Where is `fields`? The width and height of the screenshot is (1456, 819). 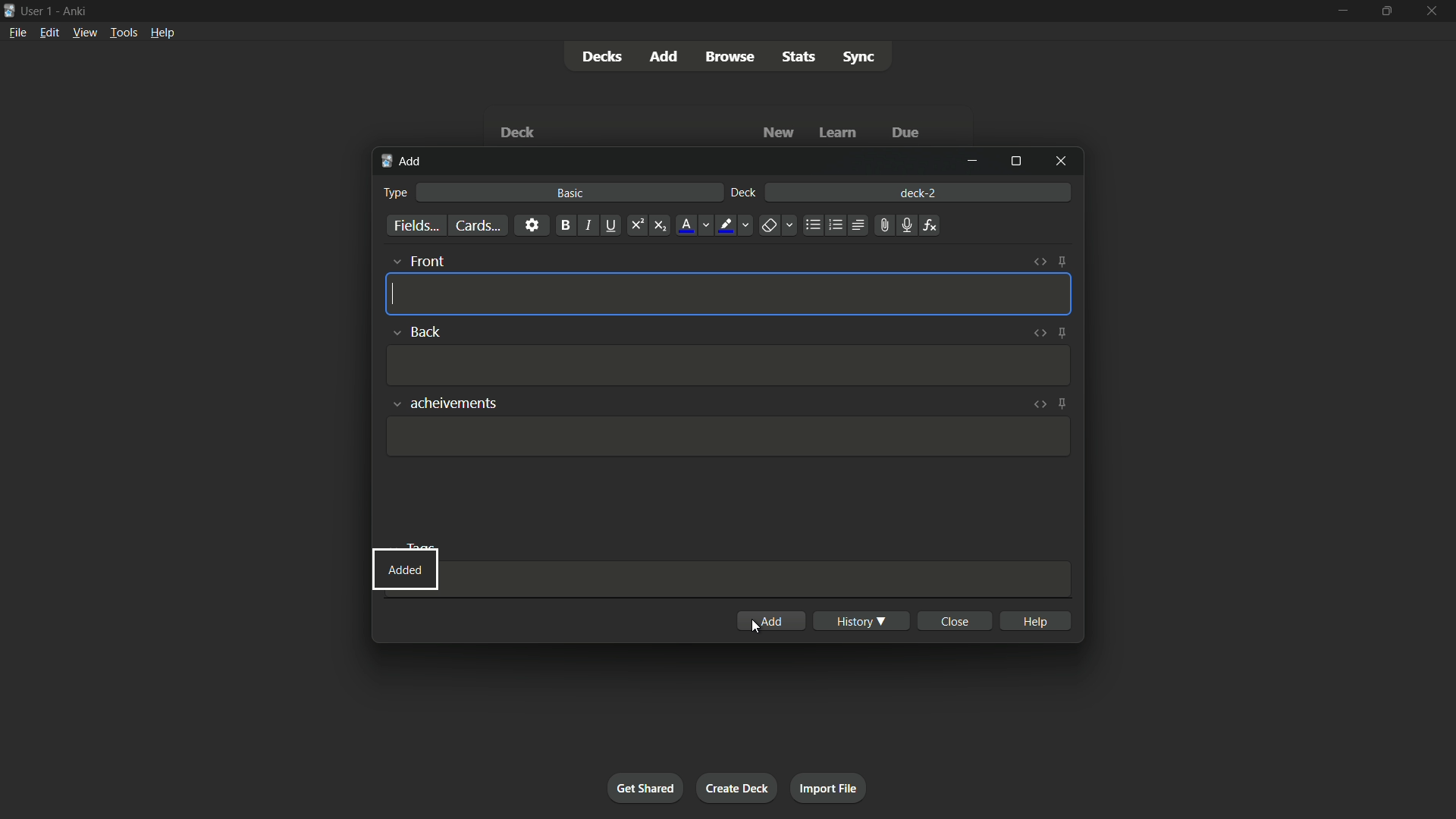 fields is located at coordinates (415, 226).